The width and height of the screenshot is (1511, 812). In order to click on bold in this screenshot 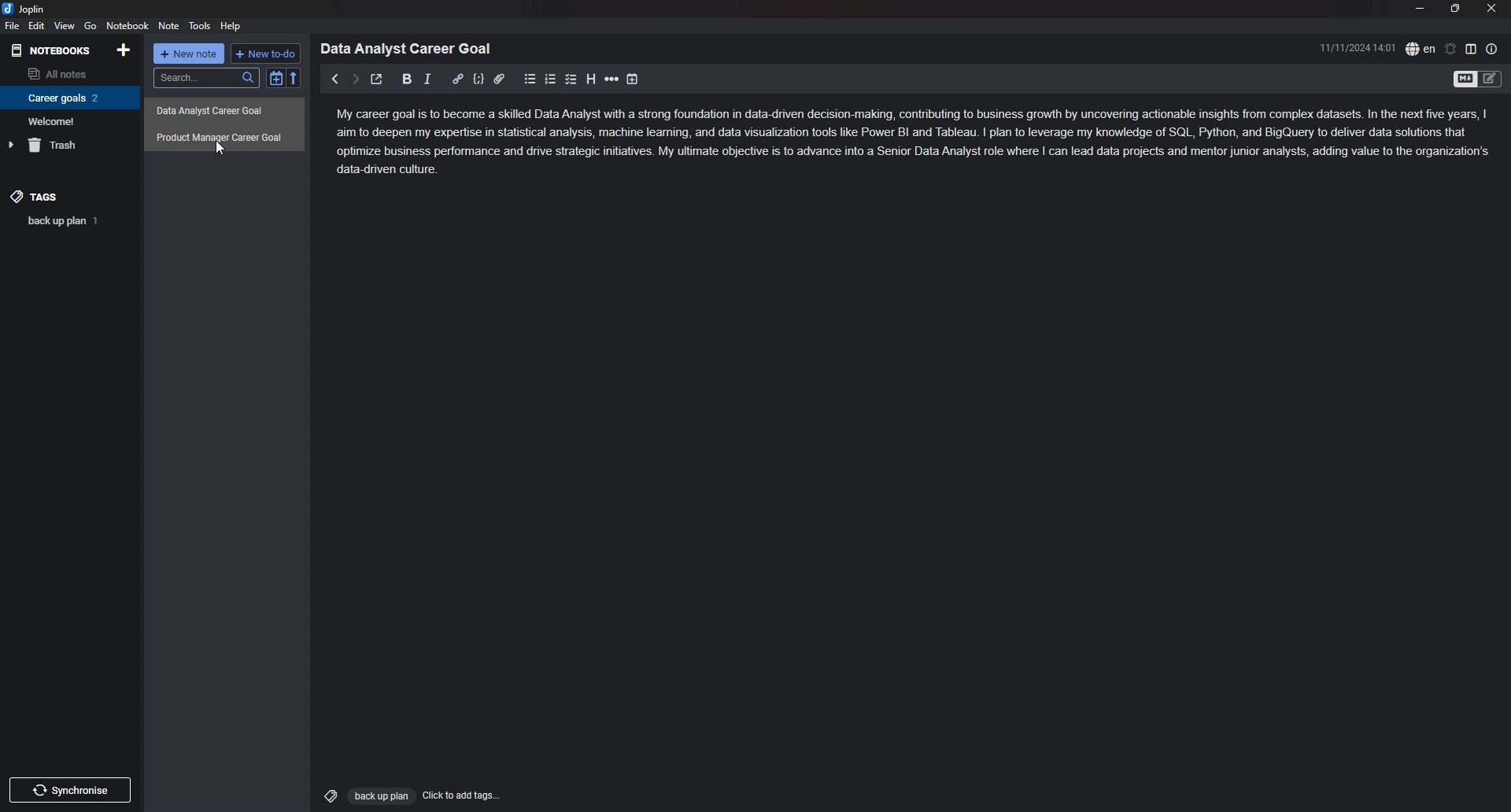, I will do `click(408, 79)`.